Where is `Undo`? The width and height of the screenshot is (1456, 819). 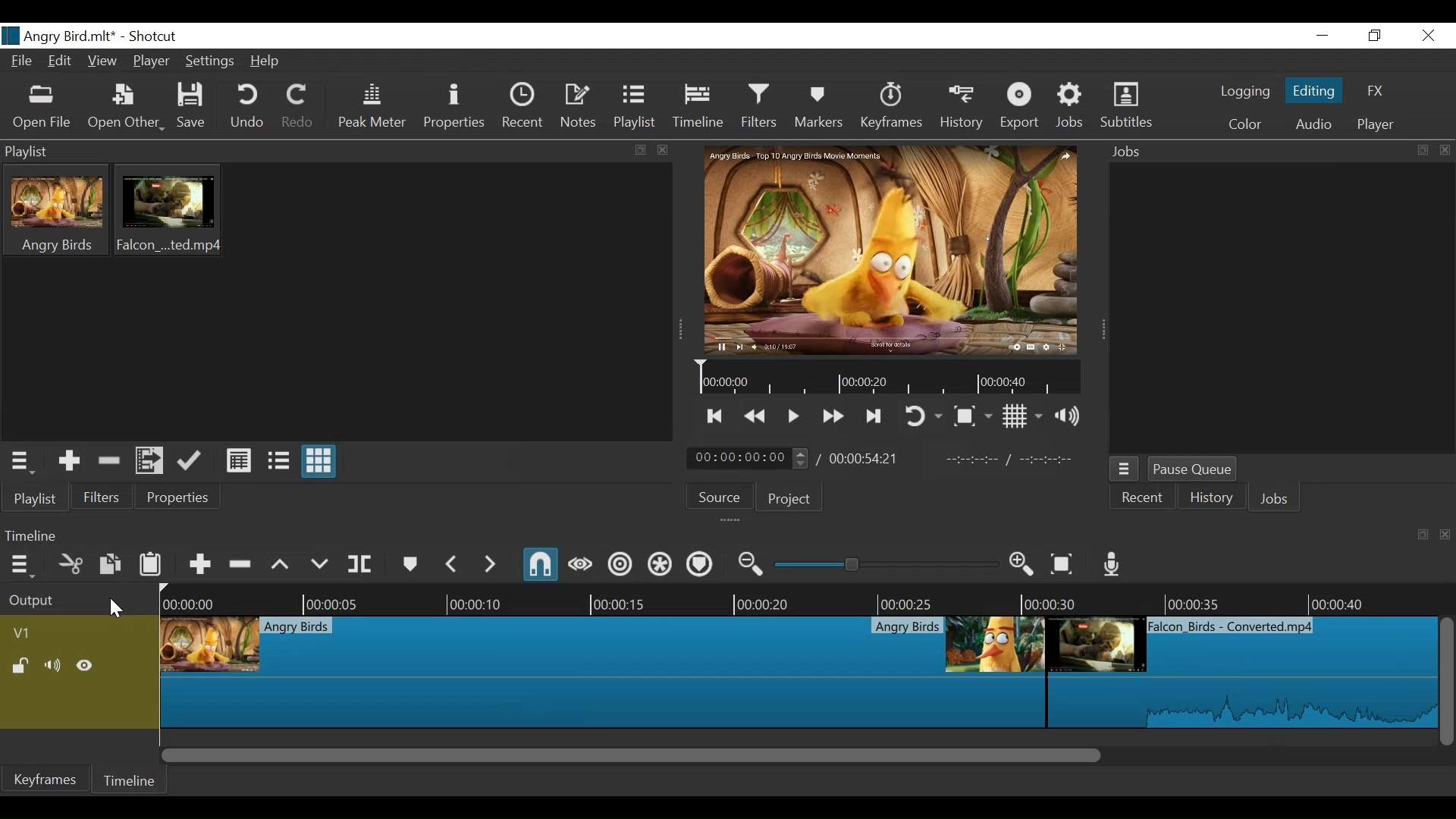 Undo is located at coordinates (249, 108).